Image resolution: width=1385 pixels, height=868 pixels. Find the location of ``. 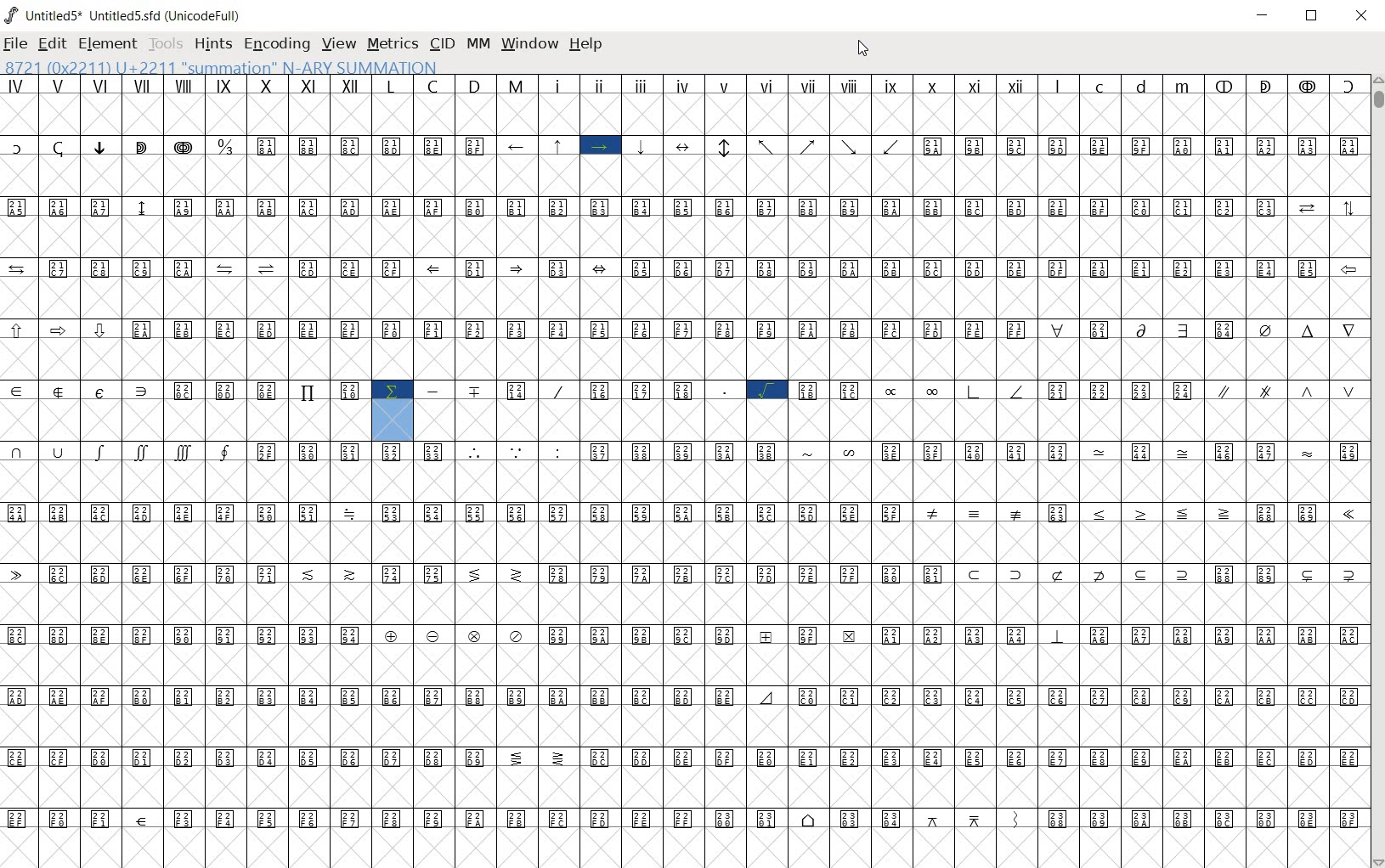

 is located at coordinates (188, 389).